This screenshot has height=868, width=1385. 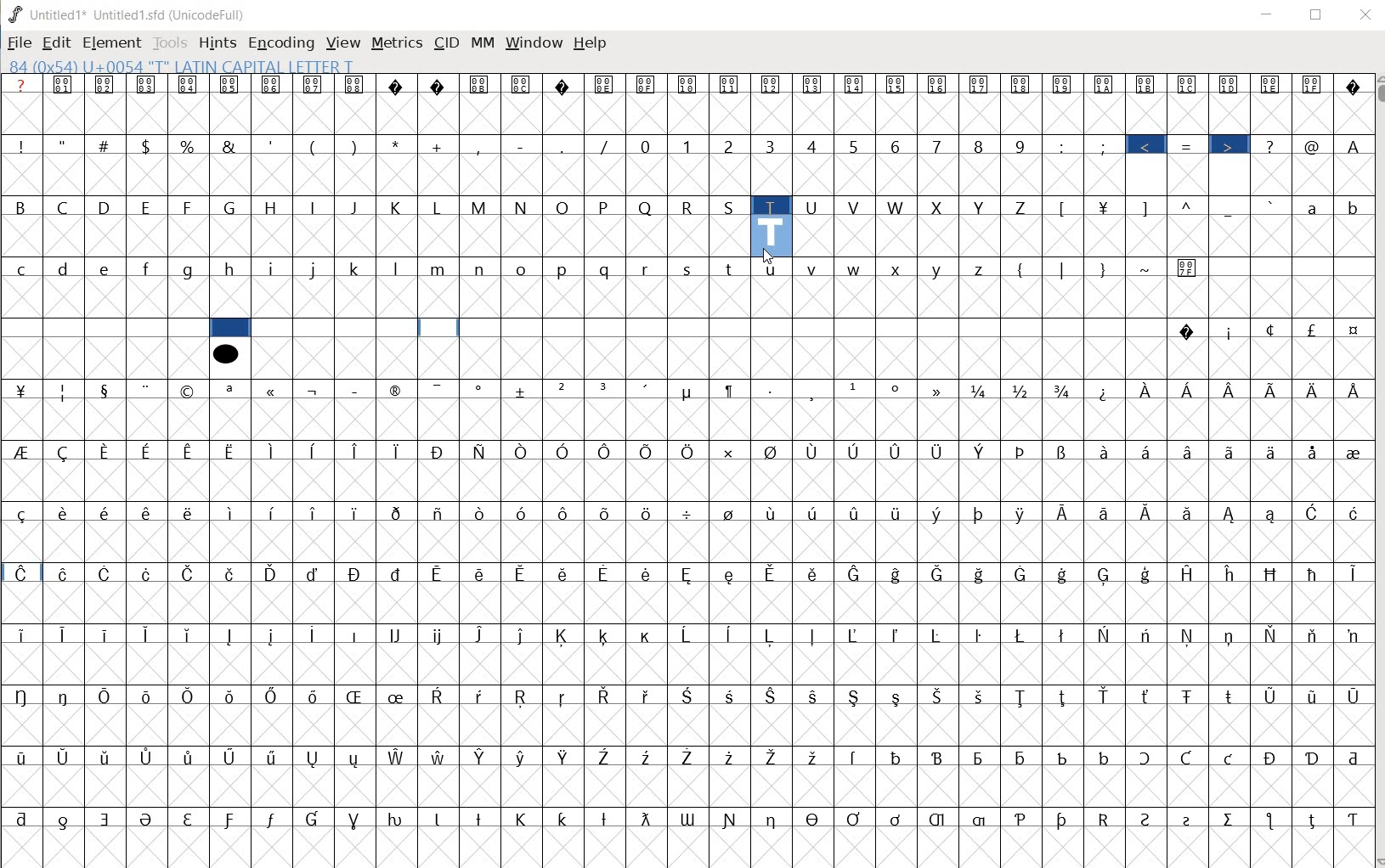 I want to click on u, so click(x=772, y=268).